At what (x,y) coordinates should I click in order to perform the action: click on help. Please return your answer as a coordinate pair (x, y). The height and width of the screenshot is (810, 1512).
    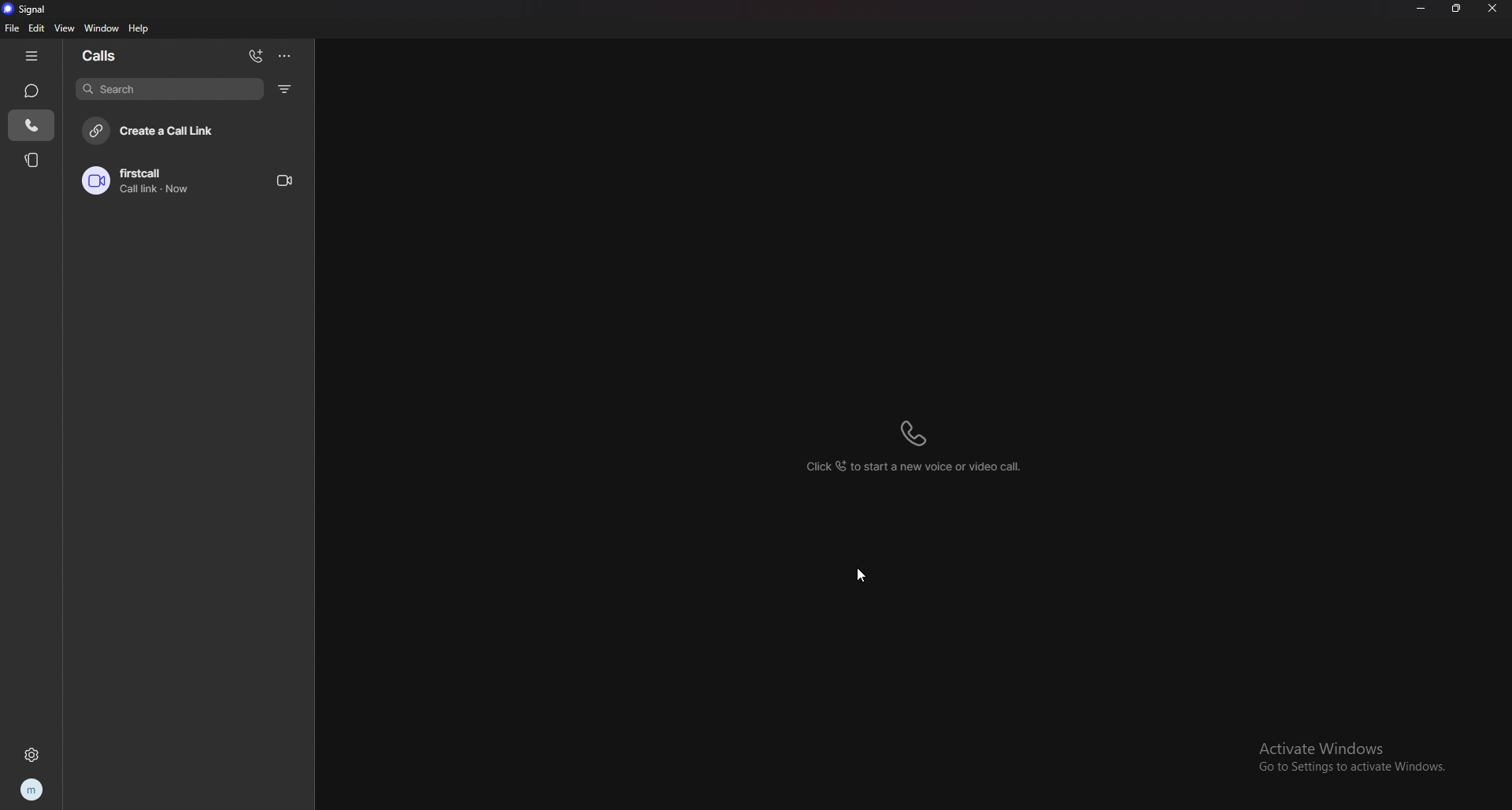
    Looking at the image, I should click on (139, 28).